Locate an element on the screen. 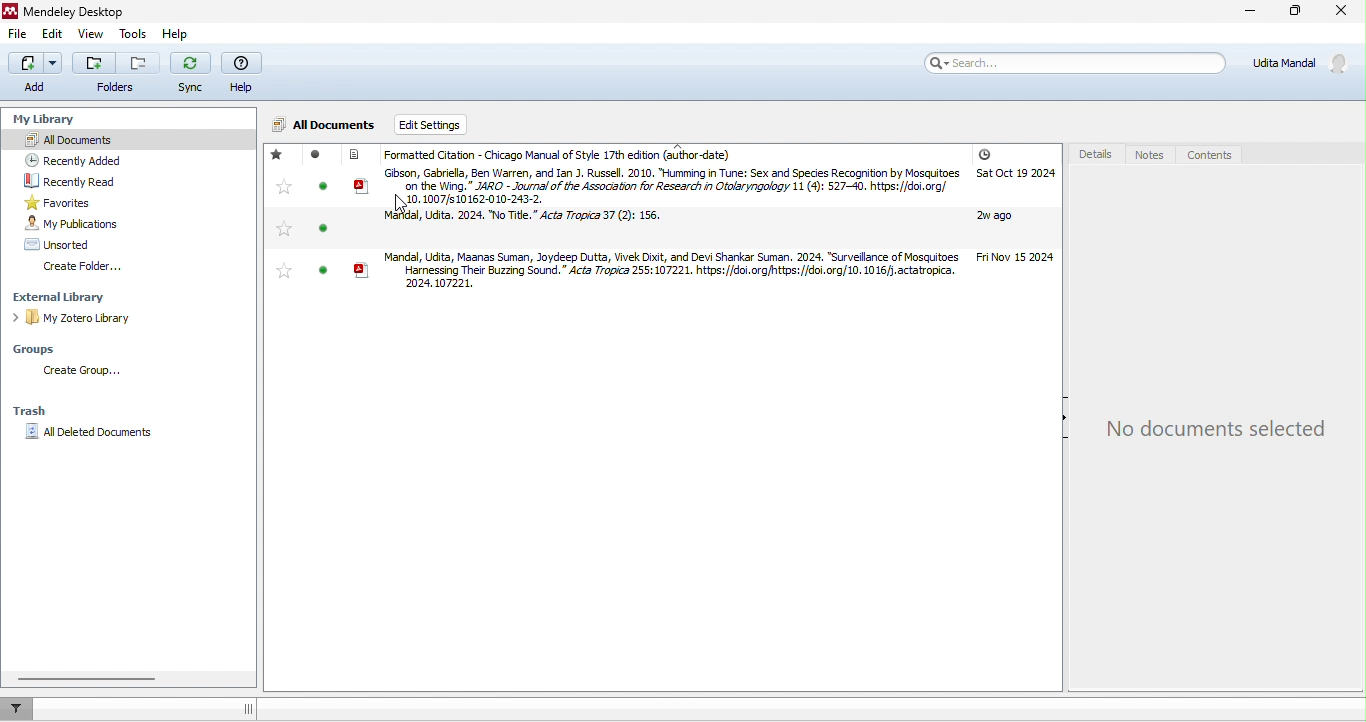  sync is located at coordinates (190, 73).